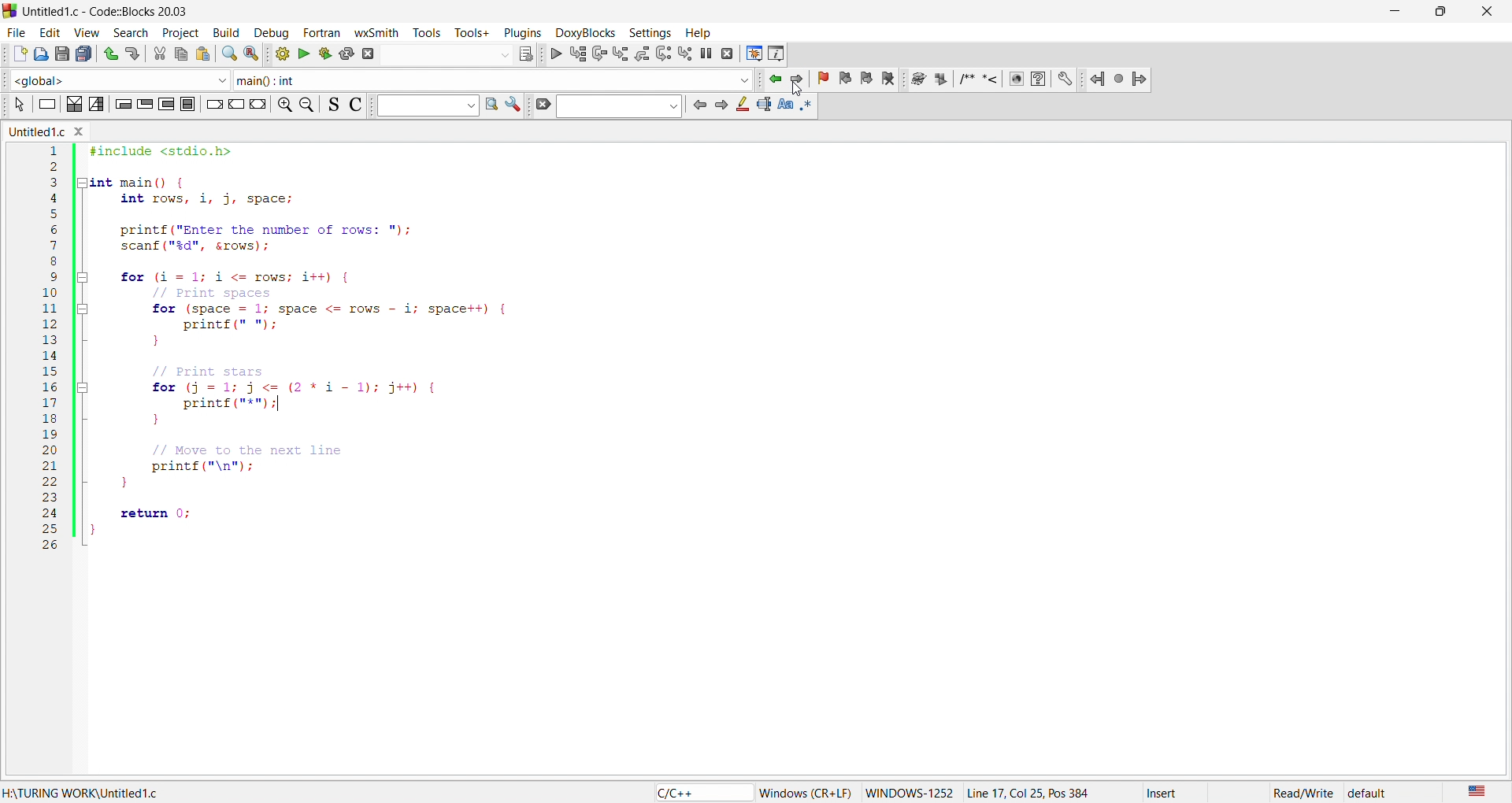 This screenshot has height=803, width=1512. Describe the element at coordinates (528, 54) in the screenshot. I see `icons` at that location.